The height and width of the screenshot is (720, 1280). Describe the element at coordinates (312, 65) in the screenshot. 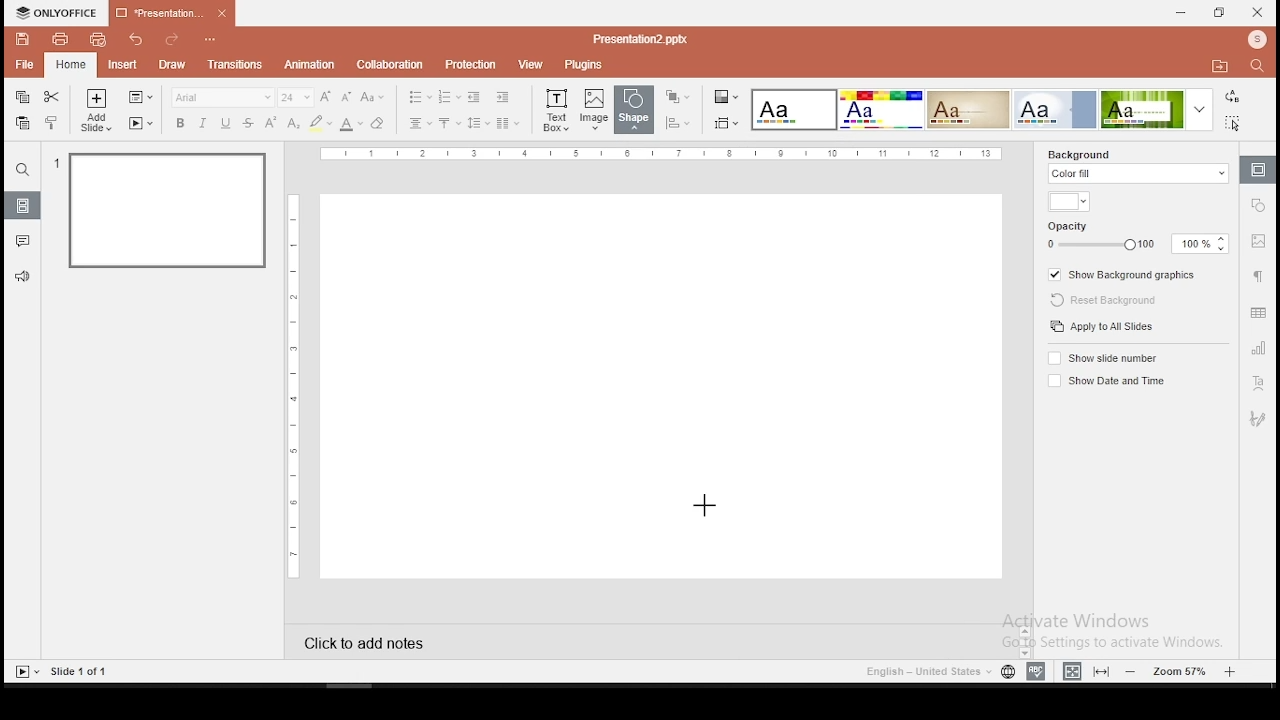

I see `animation` at that location.